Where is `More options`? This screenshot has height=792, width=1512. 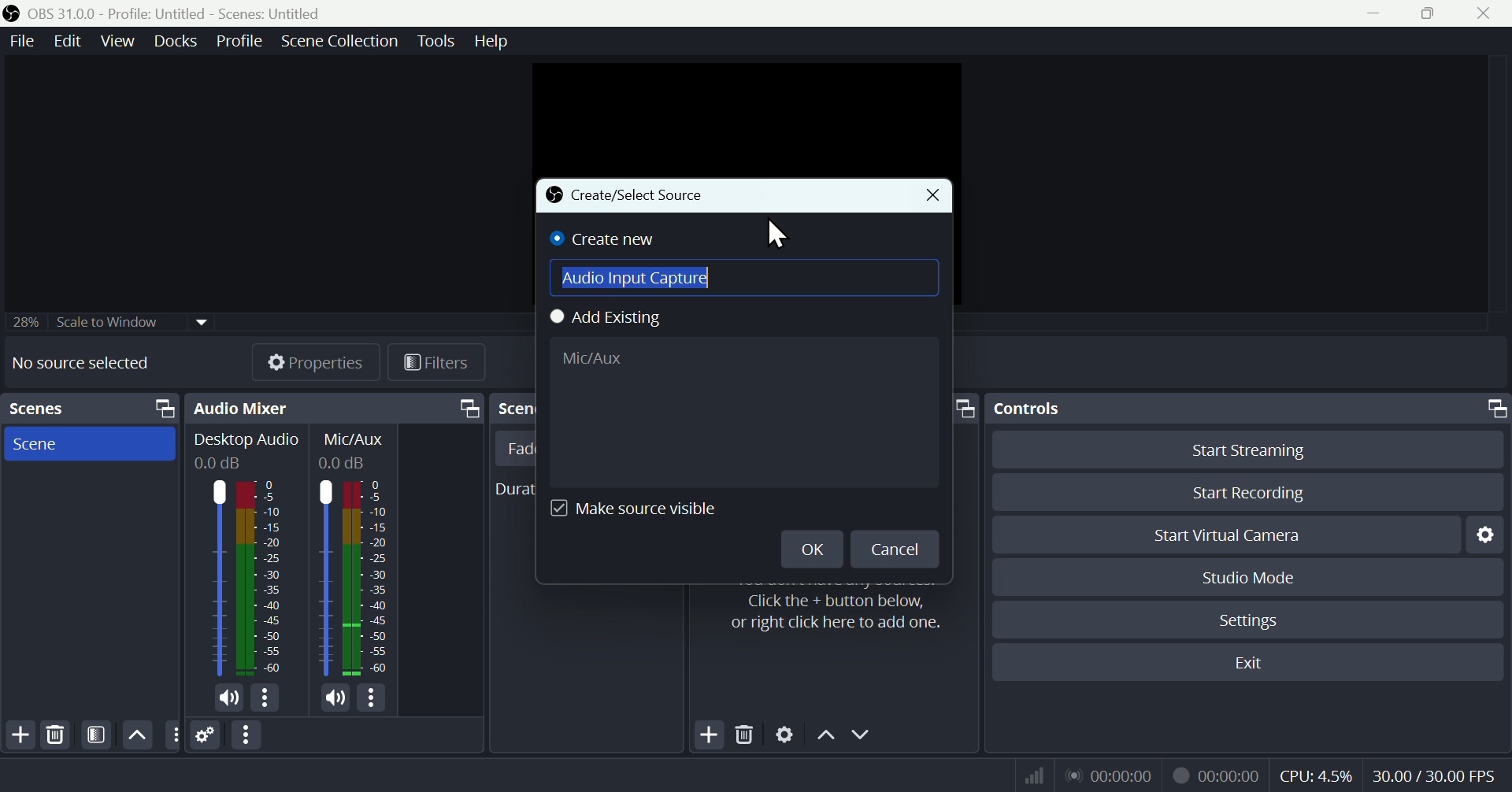 More options is located at coordinates (374, 698).